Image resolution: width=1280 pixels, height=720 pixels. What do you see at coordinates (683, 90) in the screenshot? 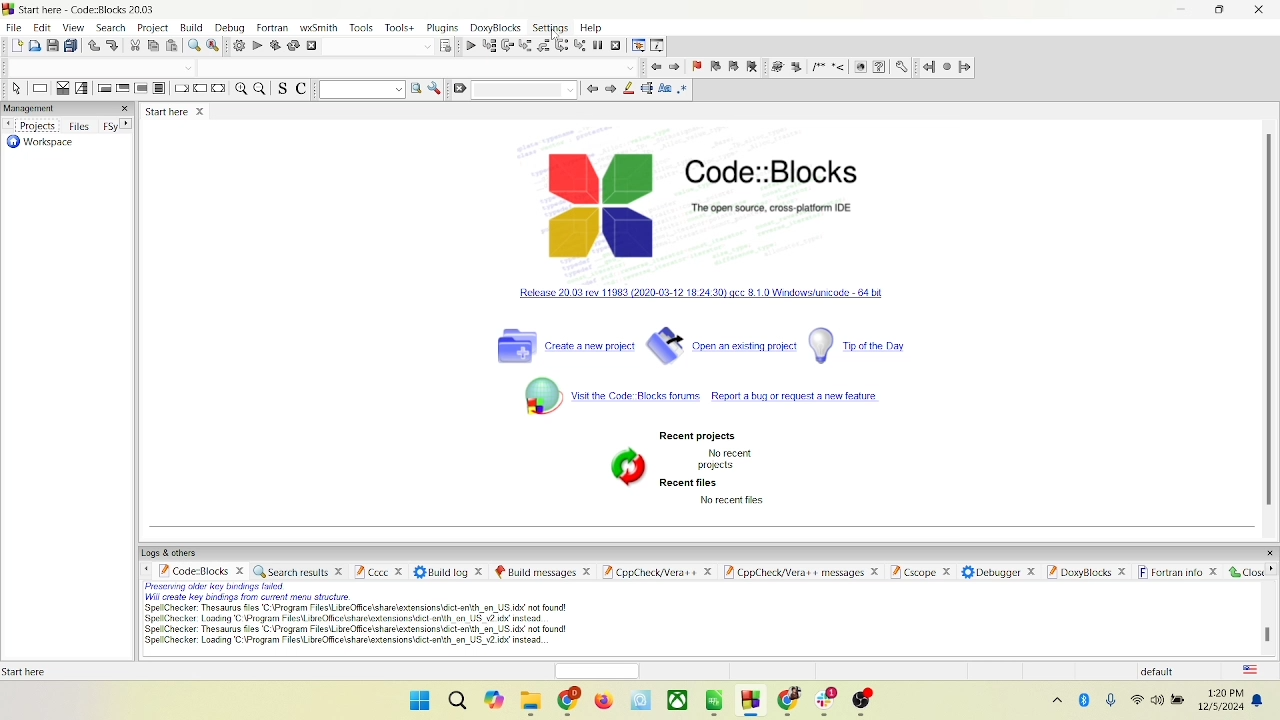
I see `regex` at bounding box center [683, 90].